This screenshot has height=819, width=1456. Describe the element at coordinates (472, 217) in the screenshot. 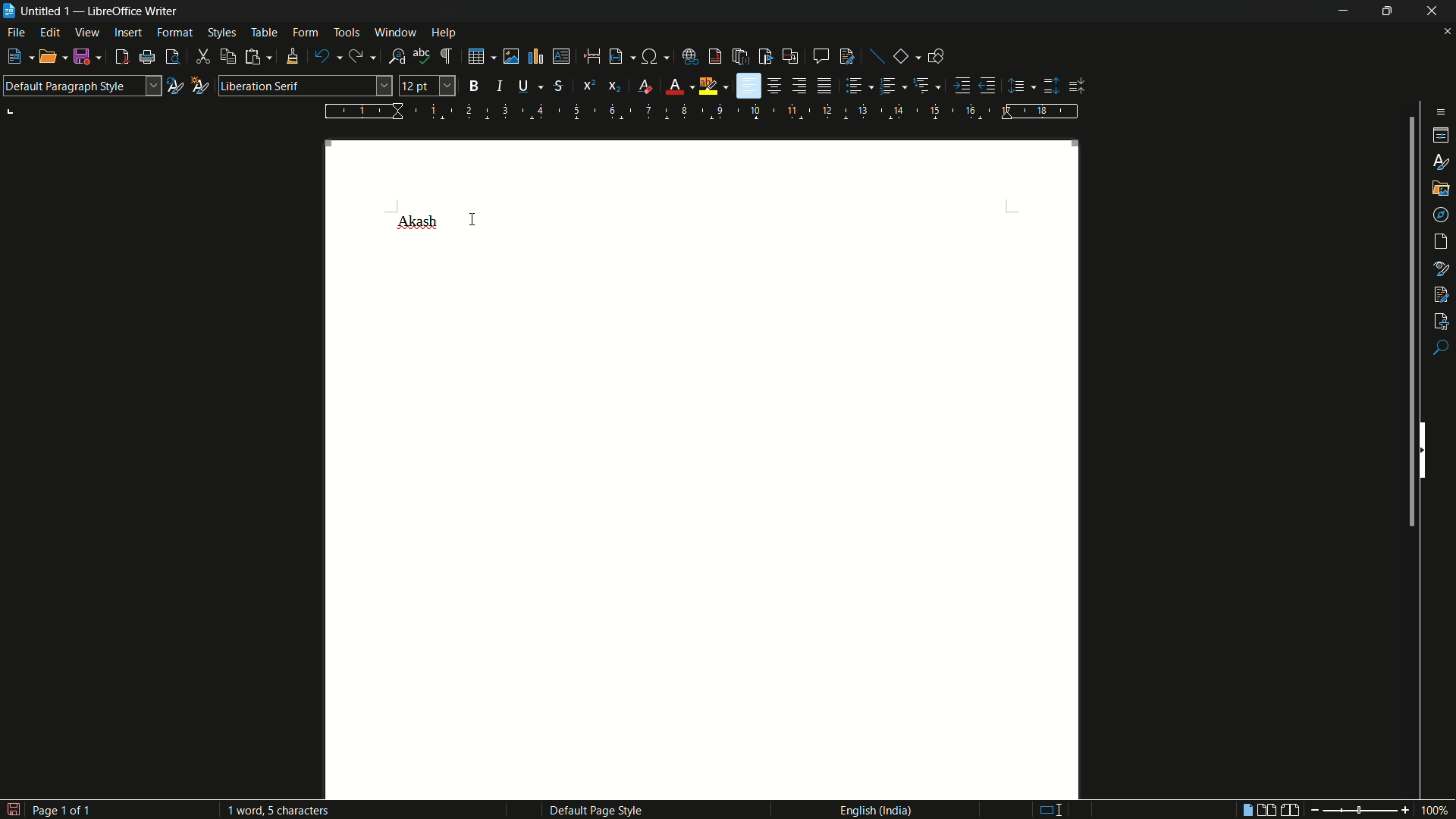

I see `cursor` at that location.